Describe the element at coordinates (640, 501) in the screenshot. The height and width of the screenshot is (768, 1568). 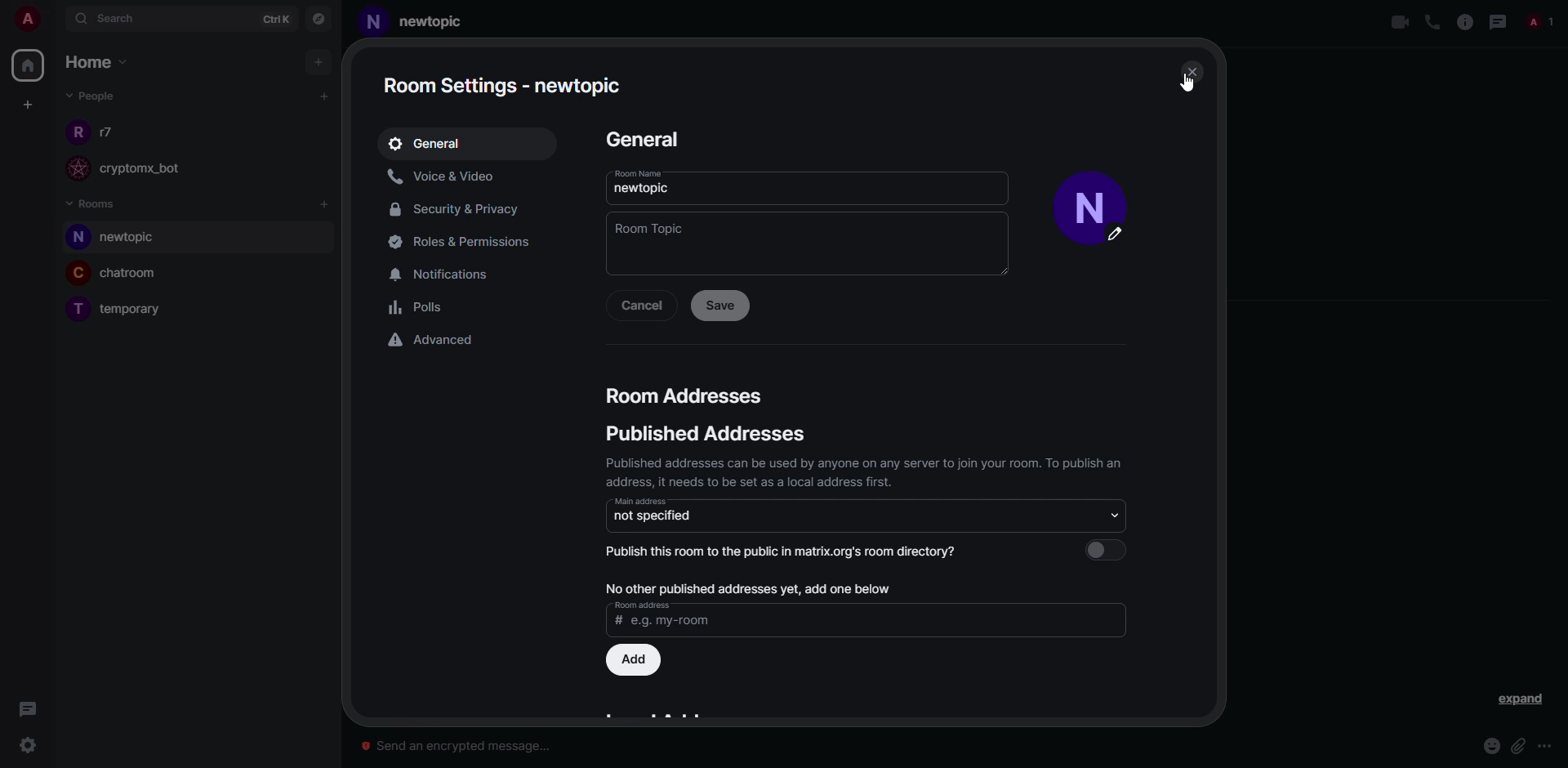
I see `main address` at that location.